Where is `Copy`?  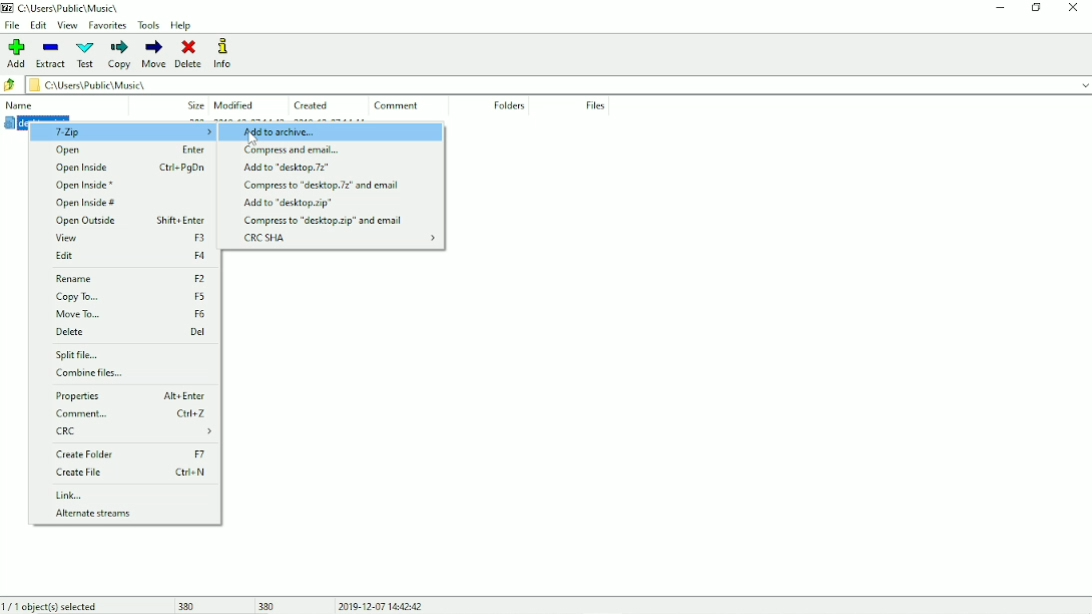
Copy is located at coordinates (121, 55).